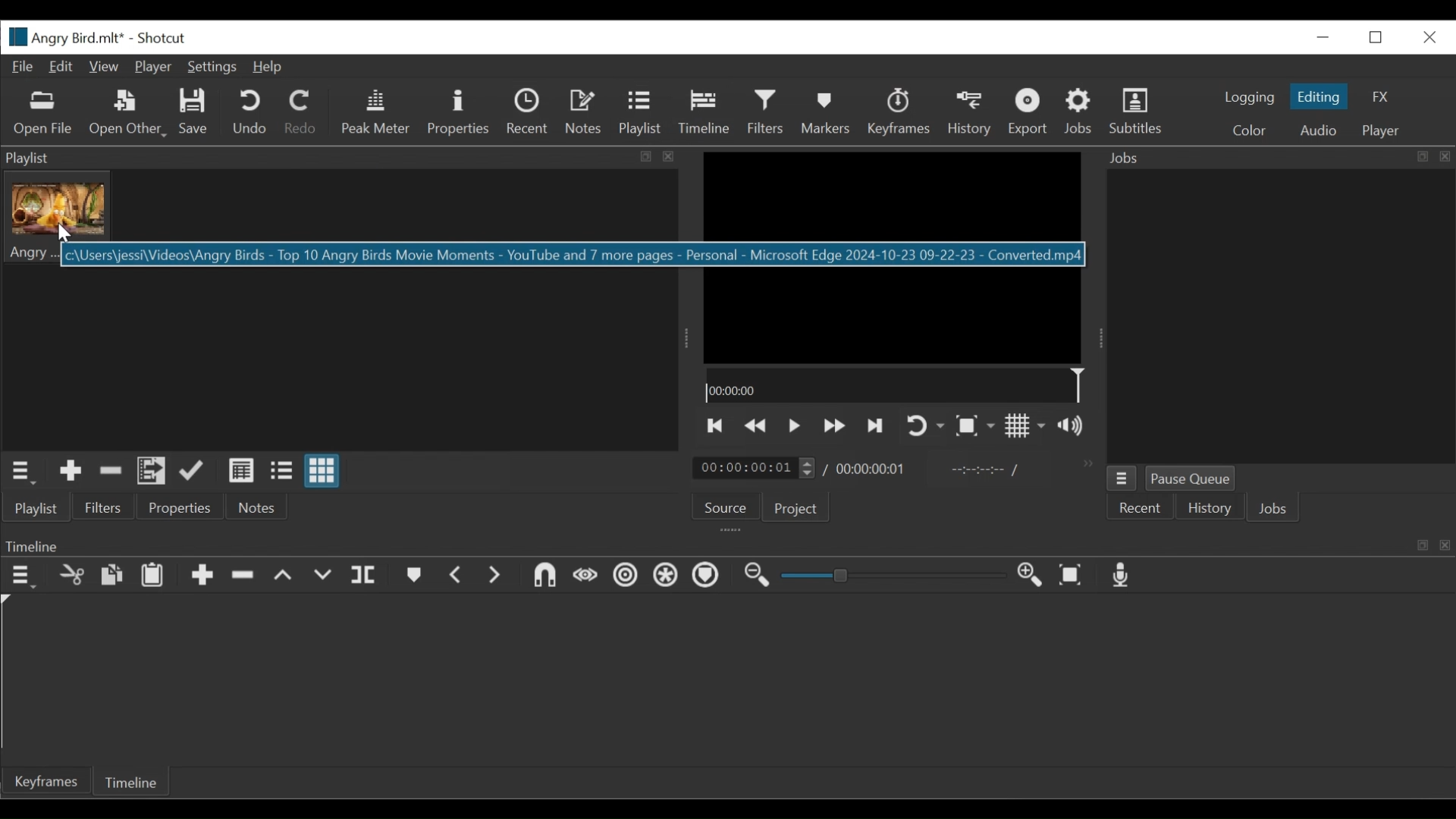 The image size is (1456, 819). Describe the element at coordinates (975, 425) in the screenshot. I see `Toggle zoom` at that location.